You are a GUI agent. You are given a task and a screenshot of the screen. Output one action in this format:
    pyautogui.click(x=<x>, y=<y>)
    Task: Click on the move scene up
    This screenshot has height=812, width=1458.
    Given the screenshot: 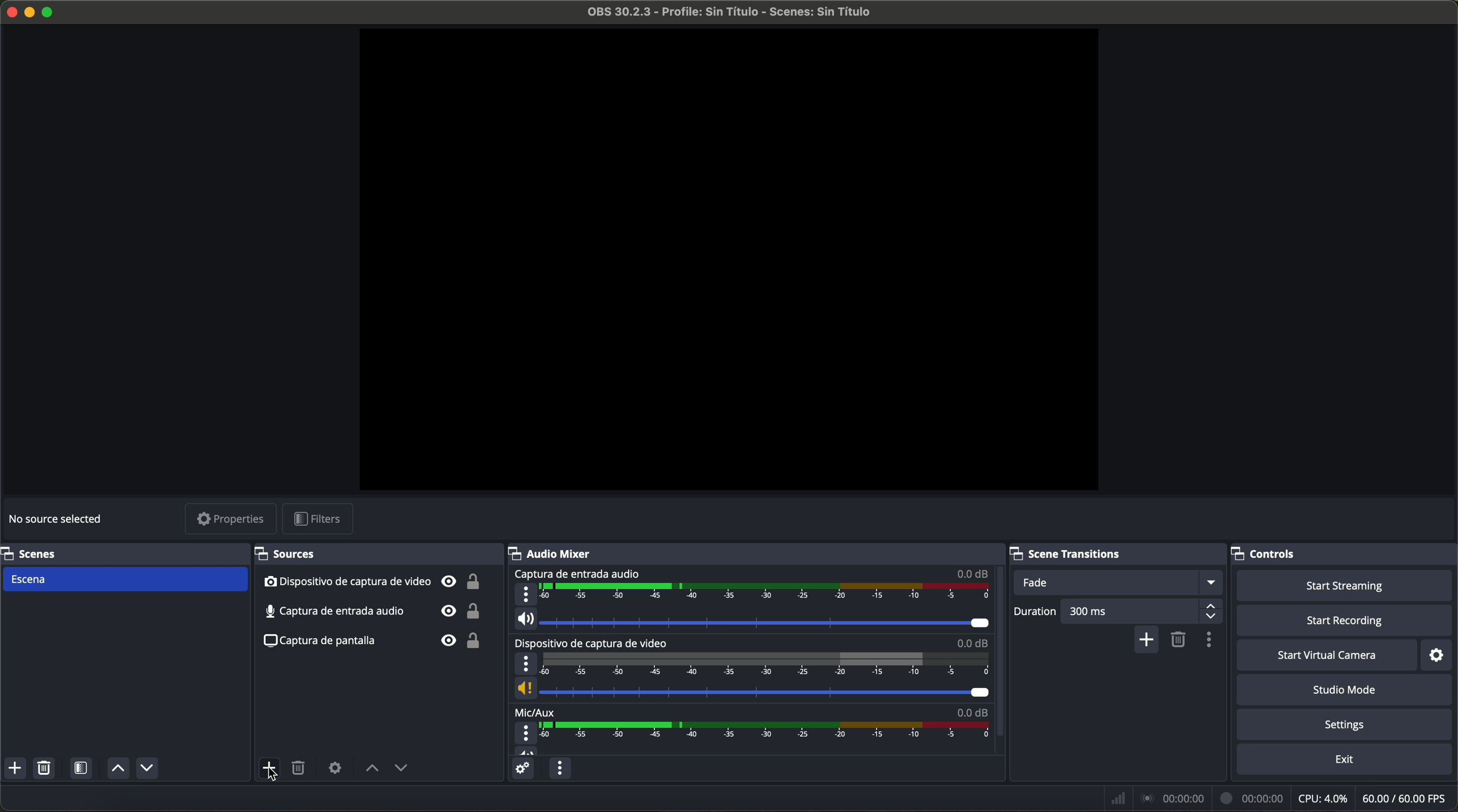 What is the action you would take?
    pyautogui.click(x=118, y=769)
    